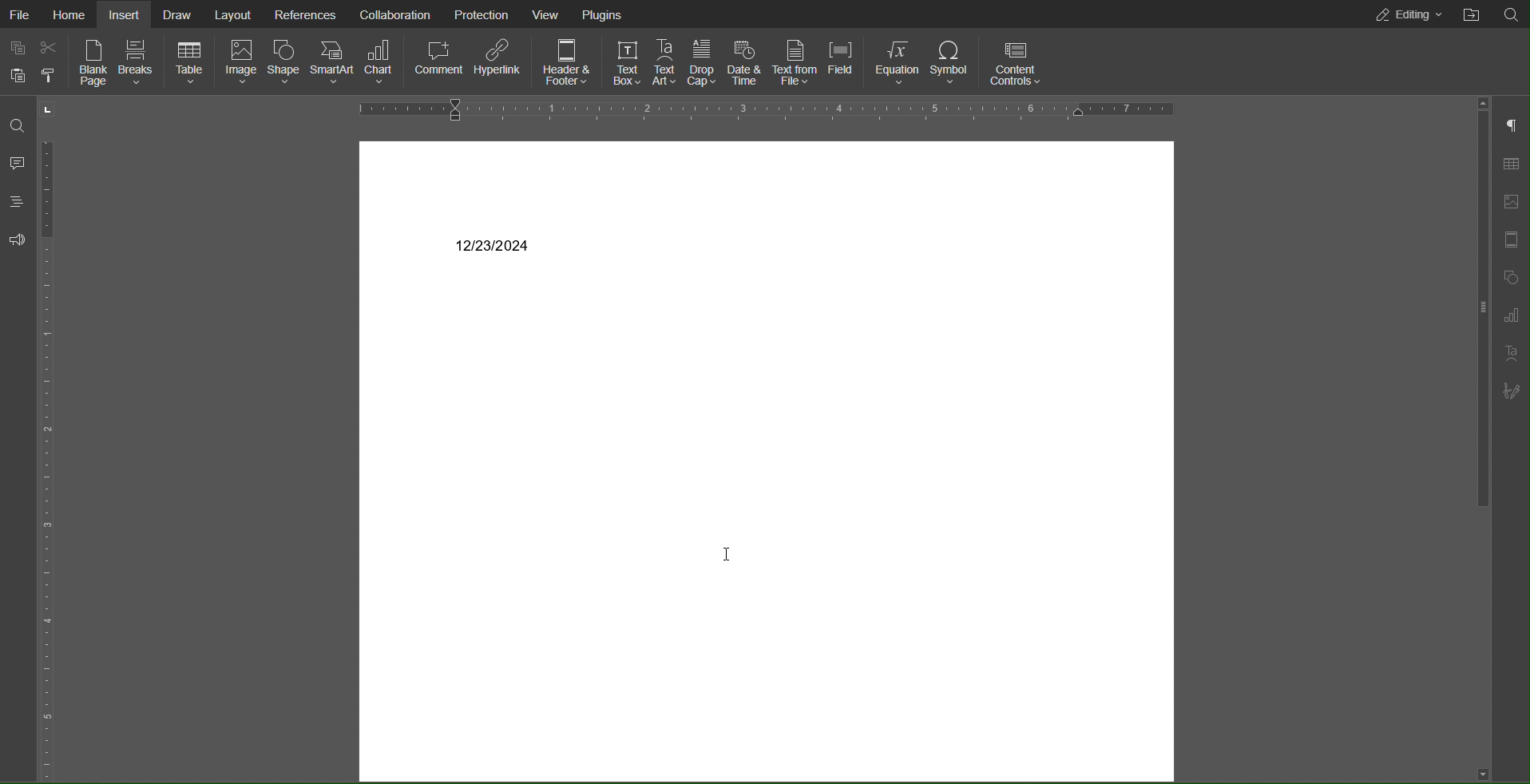  What do you see at coordinates (624, 60) in the screenshot?
I see `Text Box` at bounding box center [624, 60].